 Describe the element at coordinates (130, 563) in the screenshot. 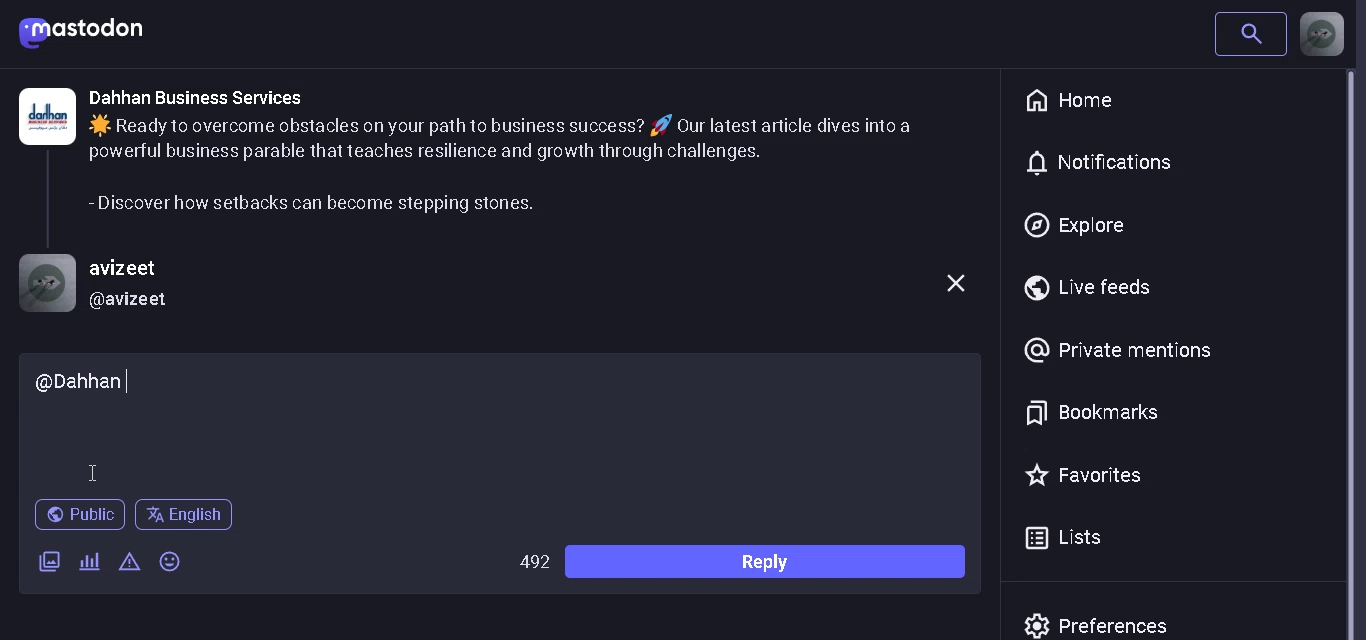

I see `content warning` at that location.